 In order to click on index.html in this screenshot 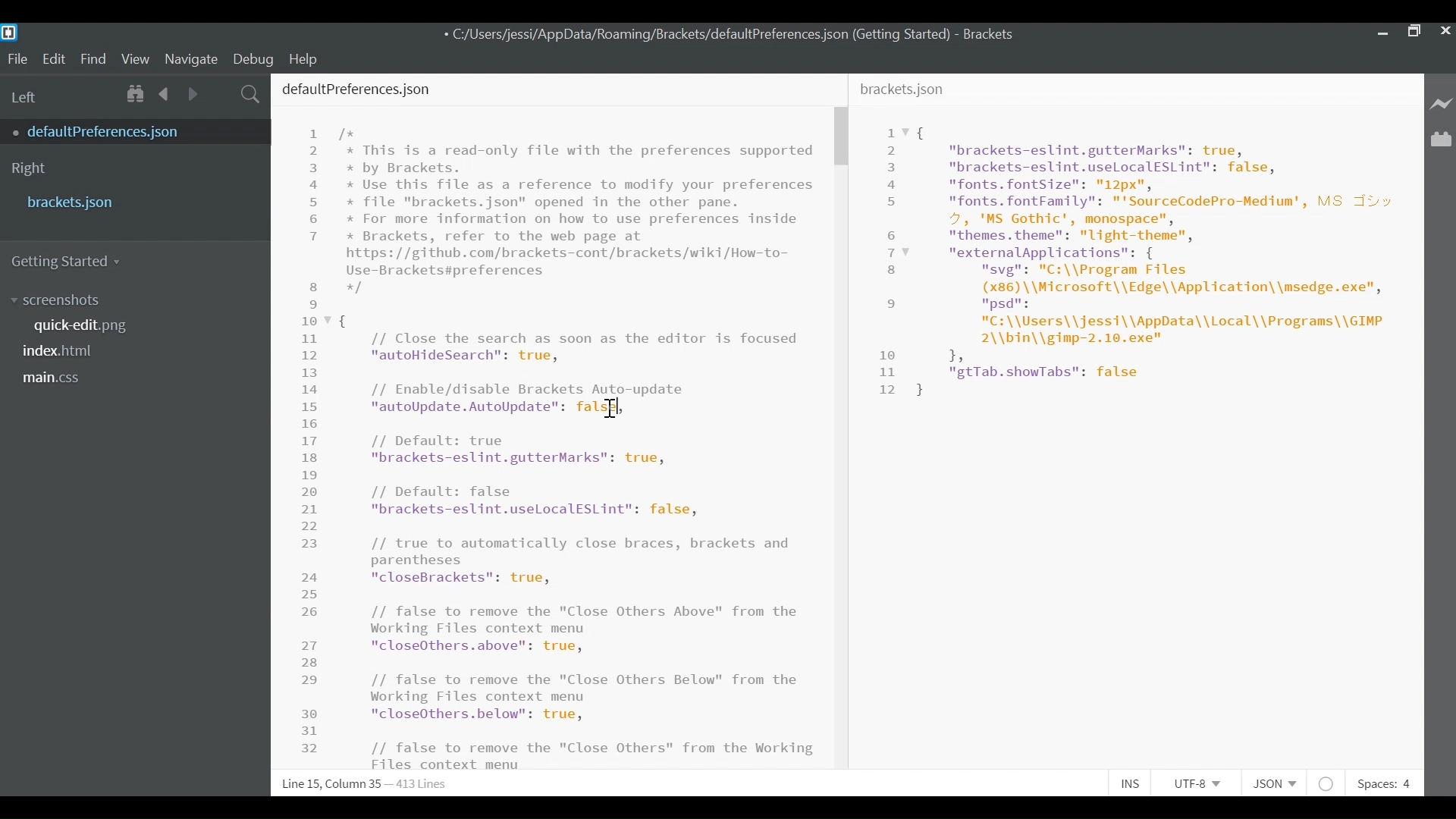, I will do `click(63, 350)`.